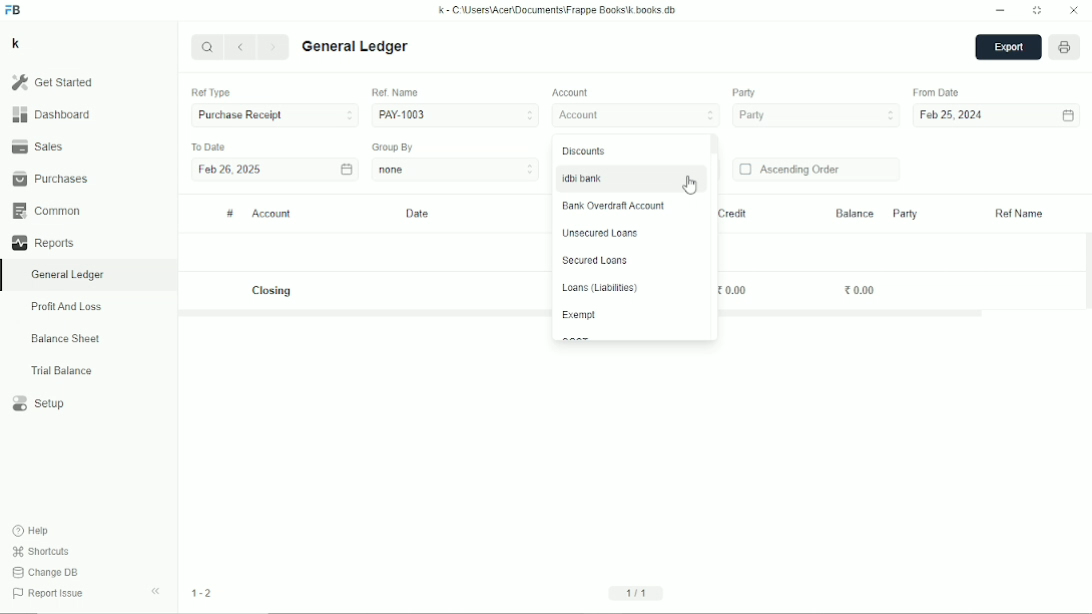 The height and width of the screenshot is (614, 1092). What do you see at coordinates (202, 593) in the screenshot?
I see `1-2` at bounding box center [202, 593].